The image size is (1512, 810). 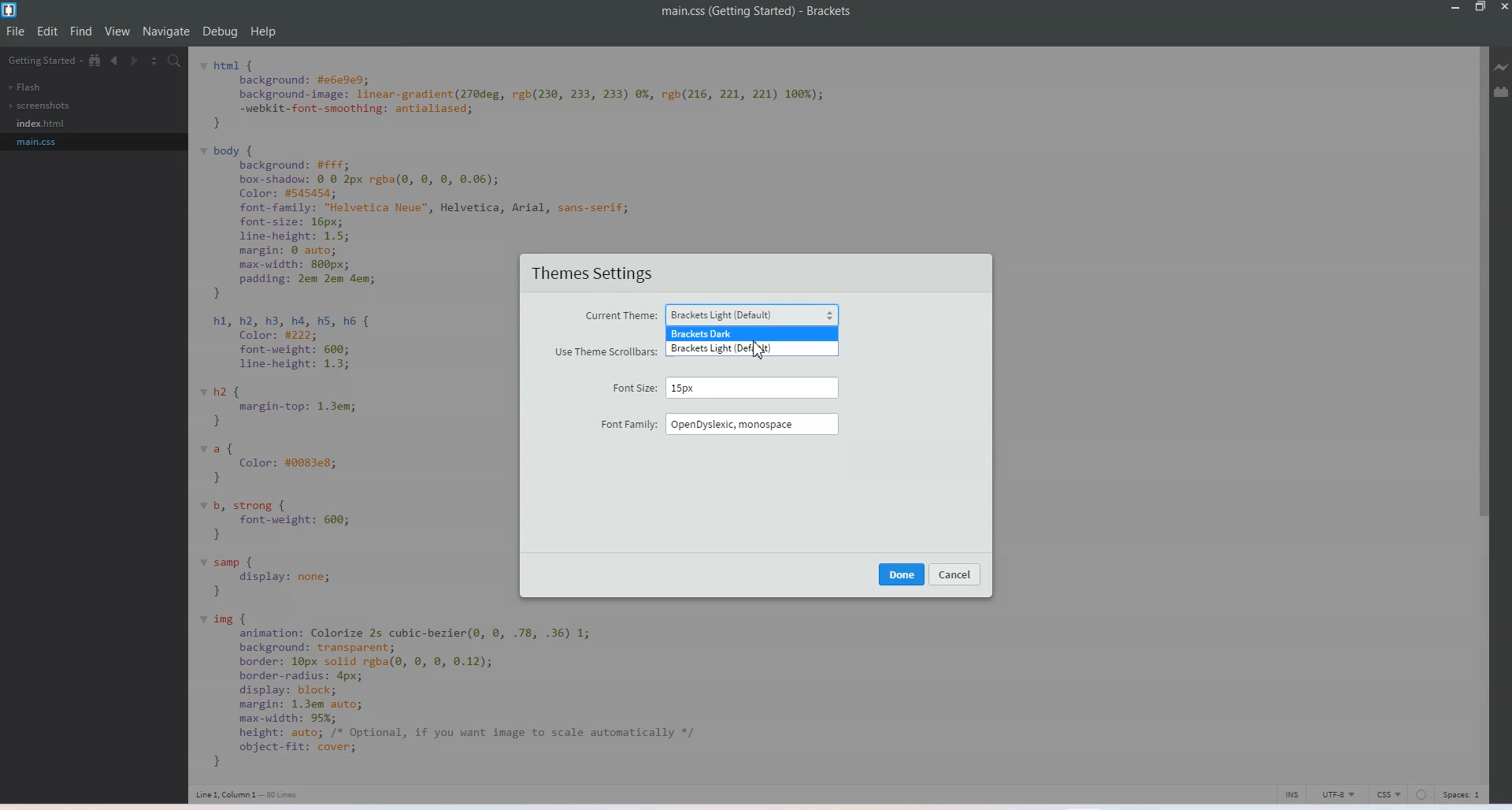 I want to click on Split editor vertically and Horizontally, so click(x=153, y=60).